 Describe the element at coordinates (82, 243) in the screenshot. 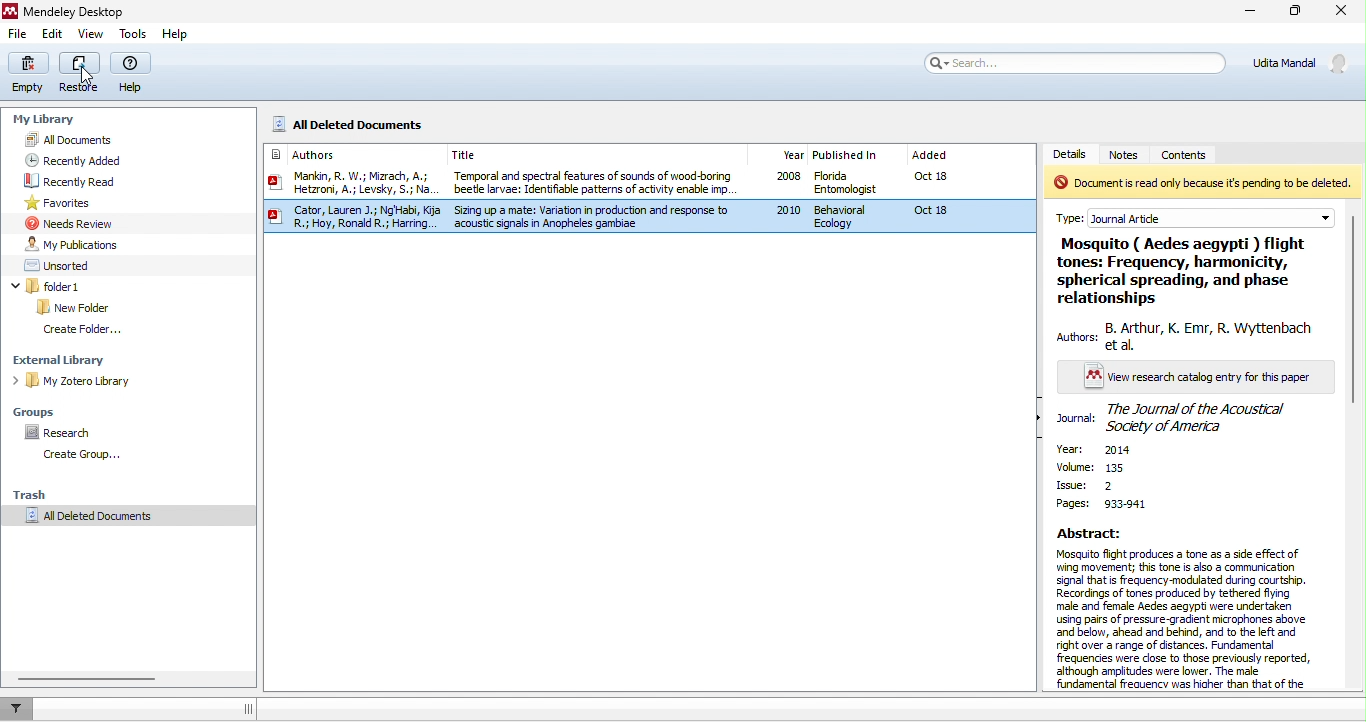

I see `my publication` at that location.